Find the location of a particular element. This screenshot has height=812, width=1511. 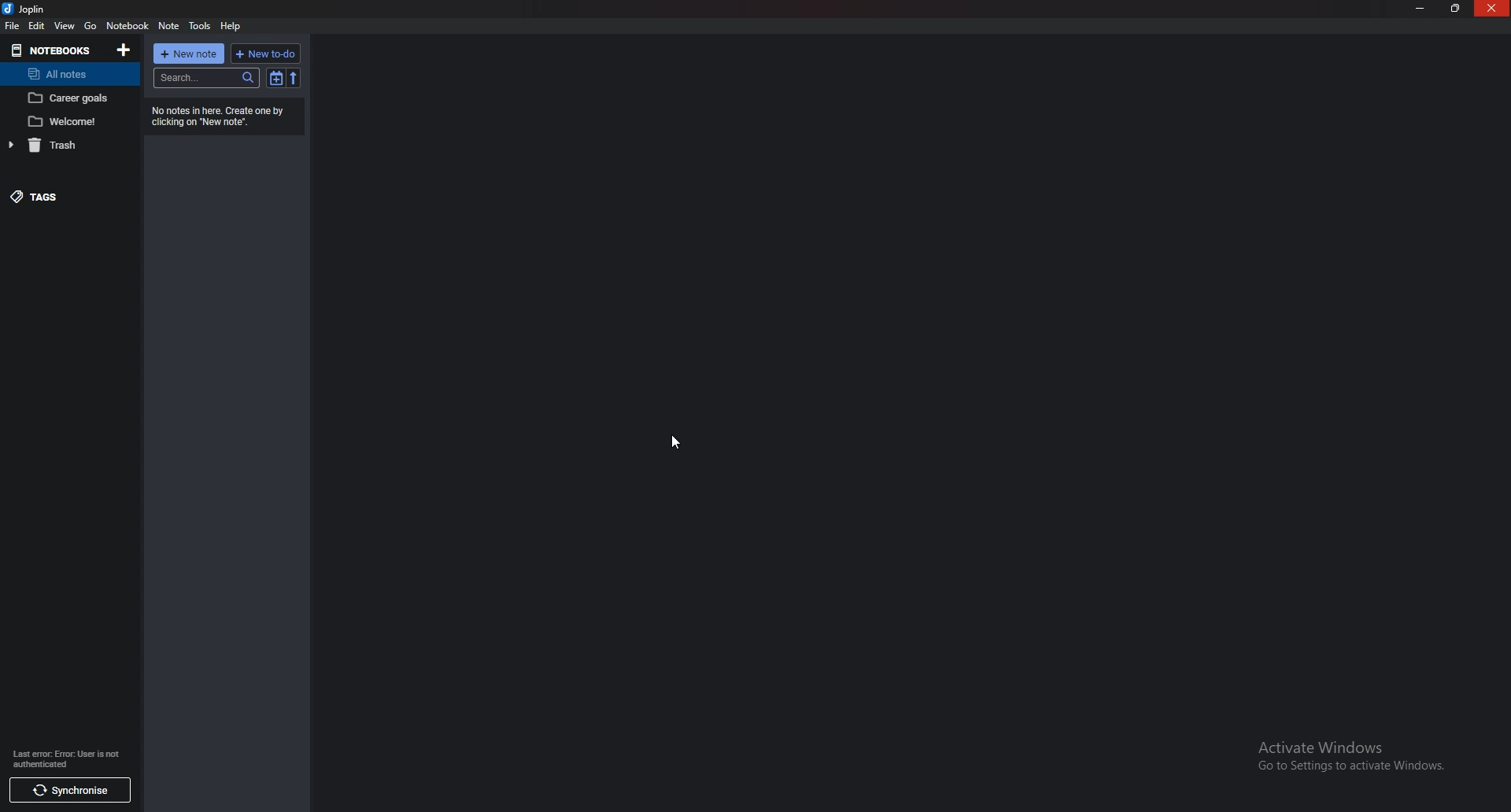

sync is located at coordinates (67, 791).